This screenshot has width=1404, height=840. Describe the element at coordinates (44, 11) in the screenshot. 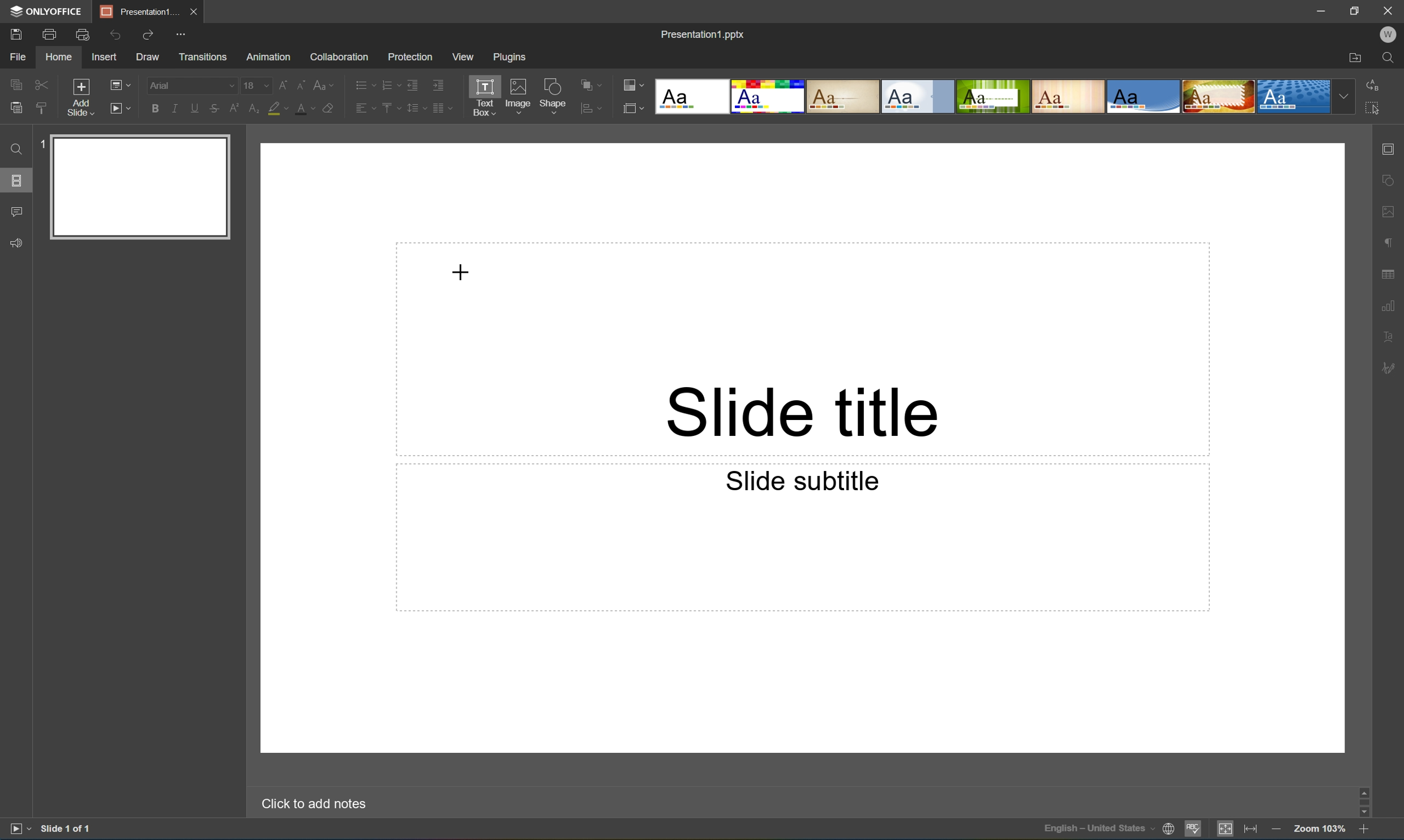

I see `ONYOFFICE` at that location.